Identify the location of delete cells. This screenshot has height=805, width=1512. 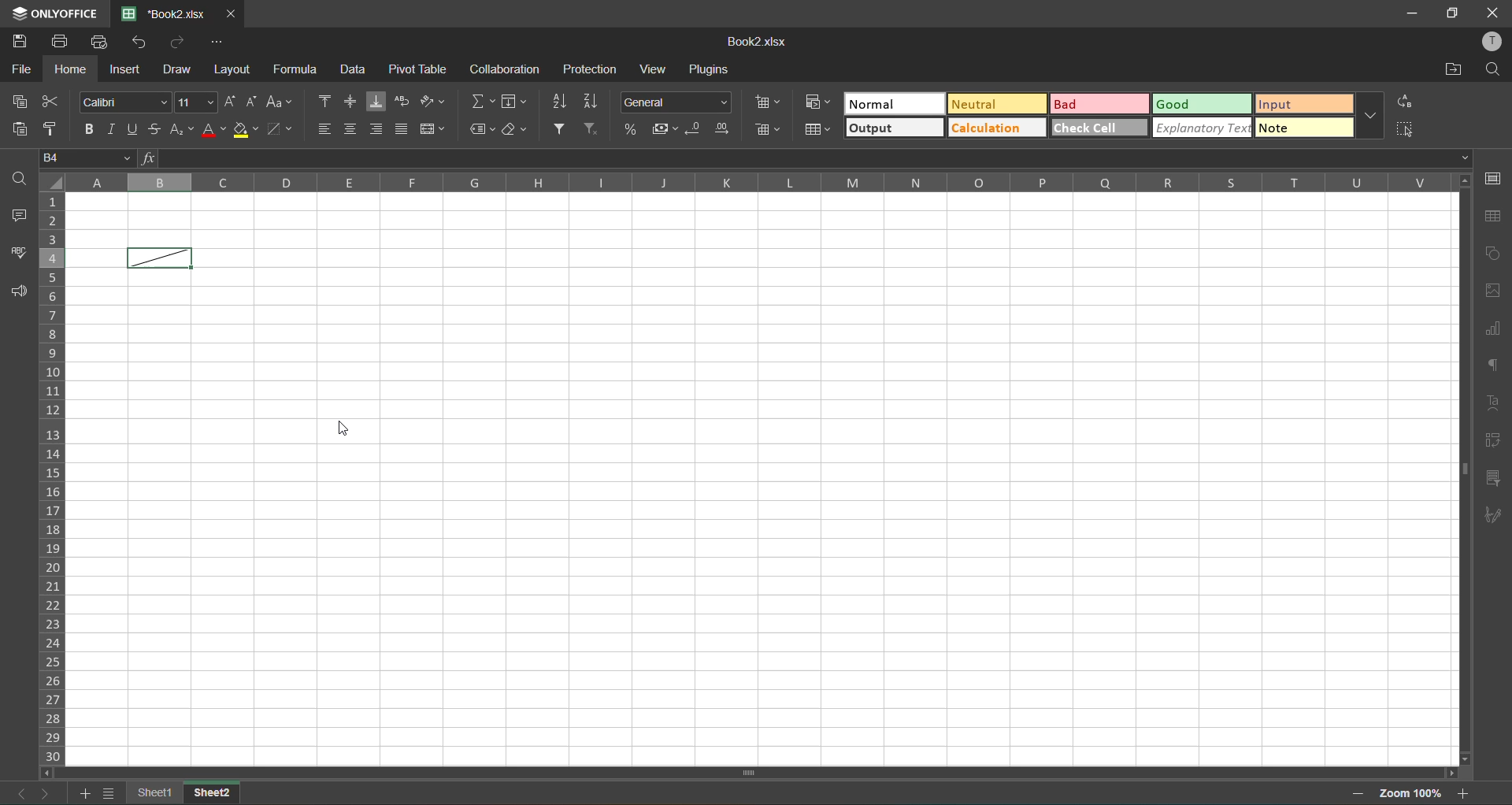
(767, 132).